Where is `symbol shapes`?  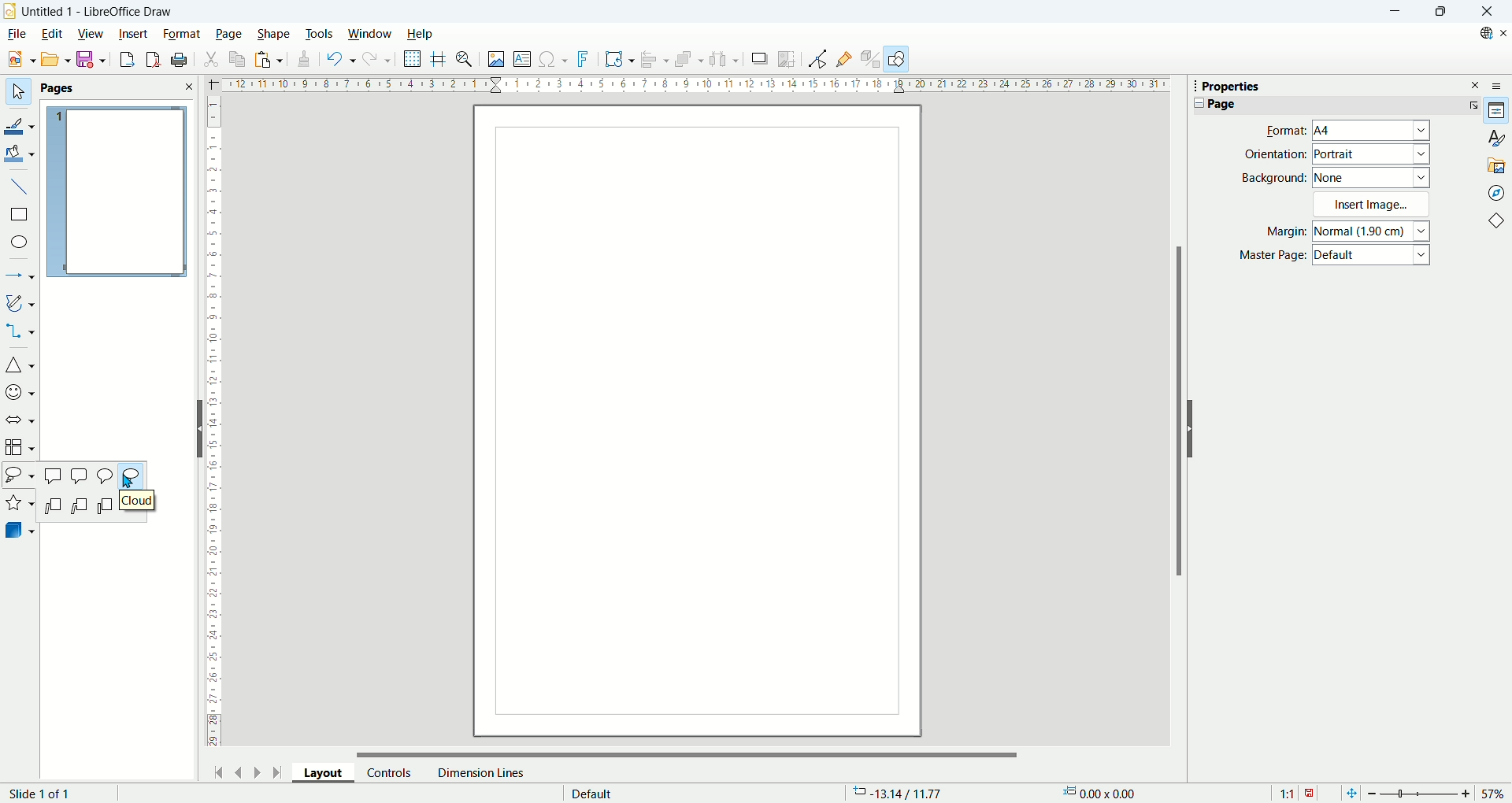 symbol shapes is located at coordinates (20, 391).